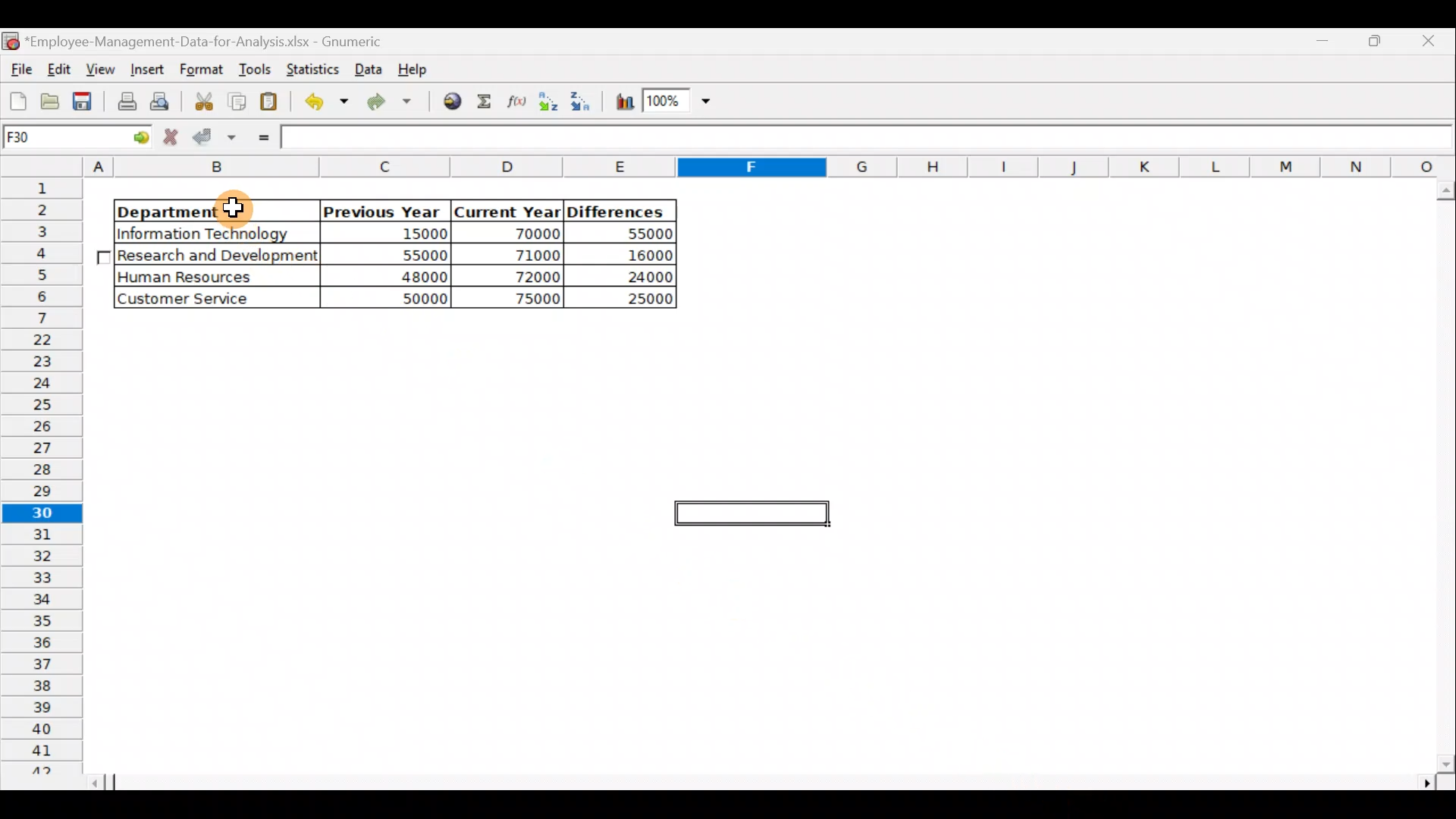  What do you see at coordinates (163, 101) in the screenshot?
I see `Print preview` at bounding box center [163, 101].